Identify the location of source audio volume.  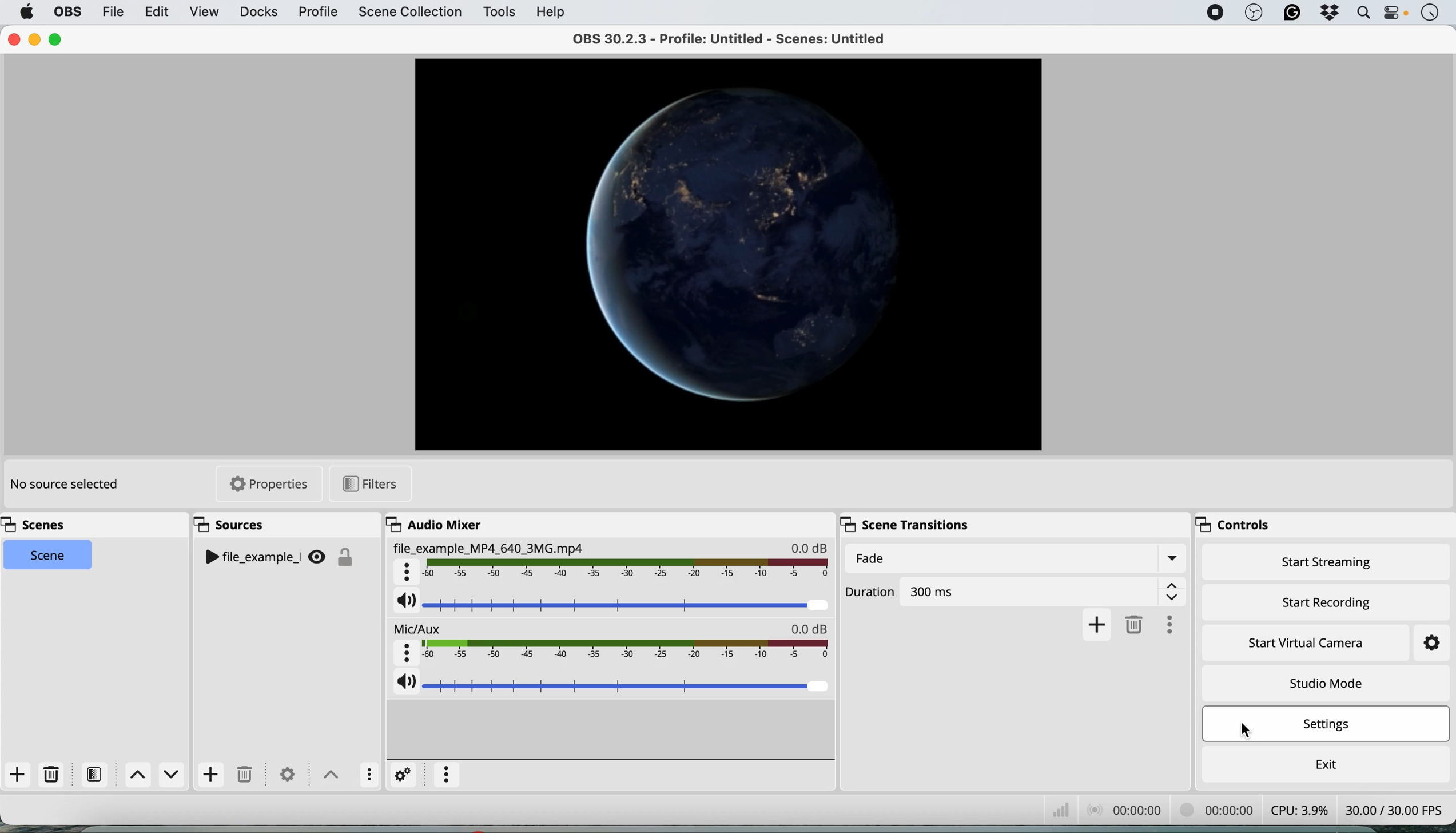
(612, 605).